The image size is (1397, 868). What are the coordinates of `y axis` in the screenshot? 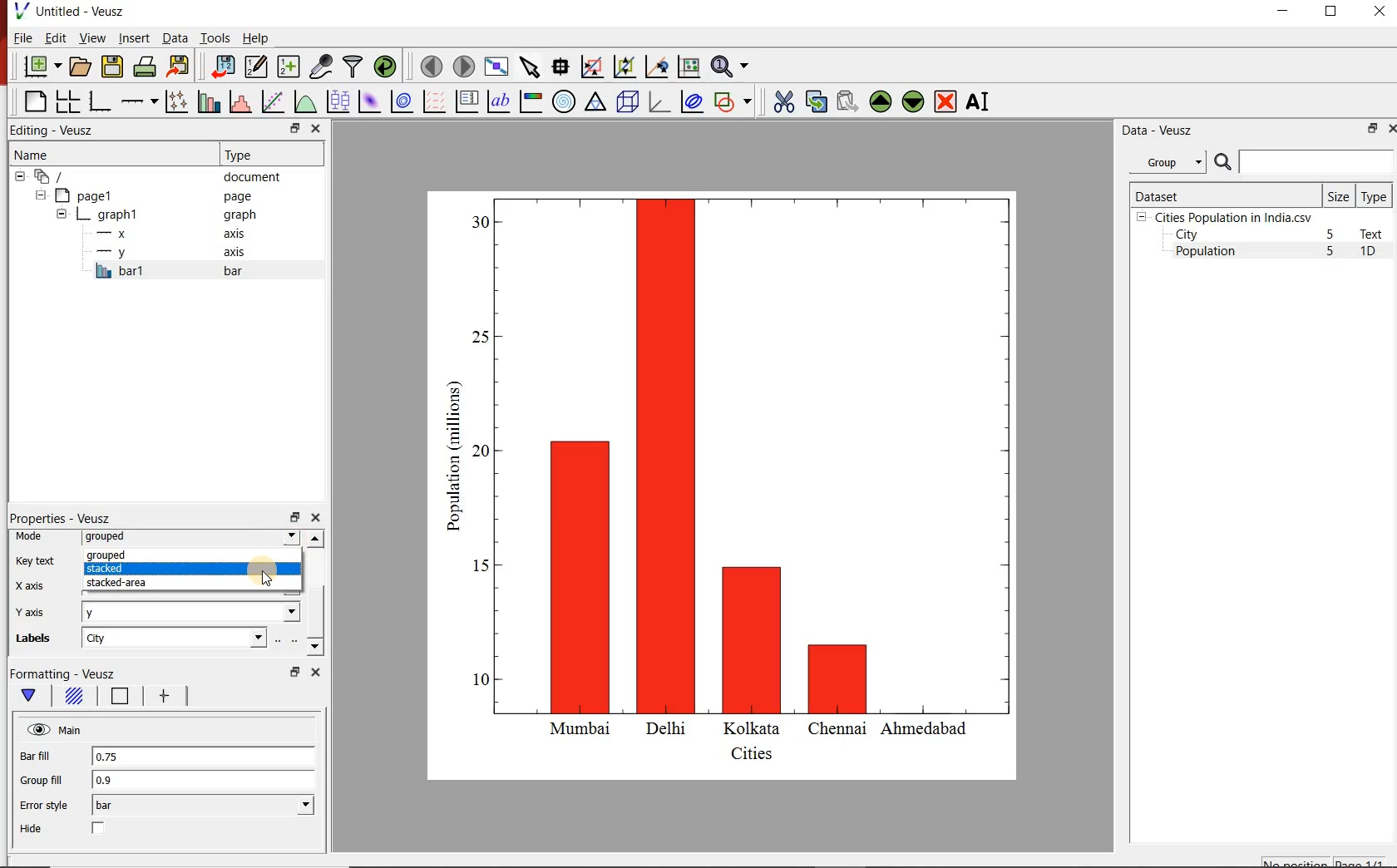 It's located at (41, 612).